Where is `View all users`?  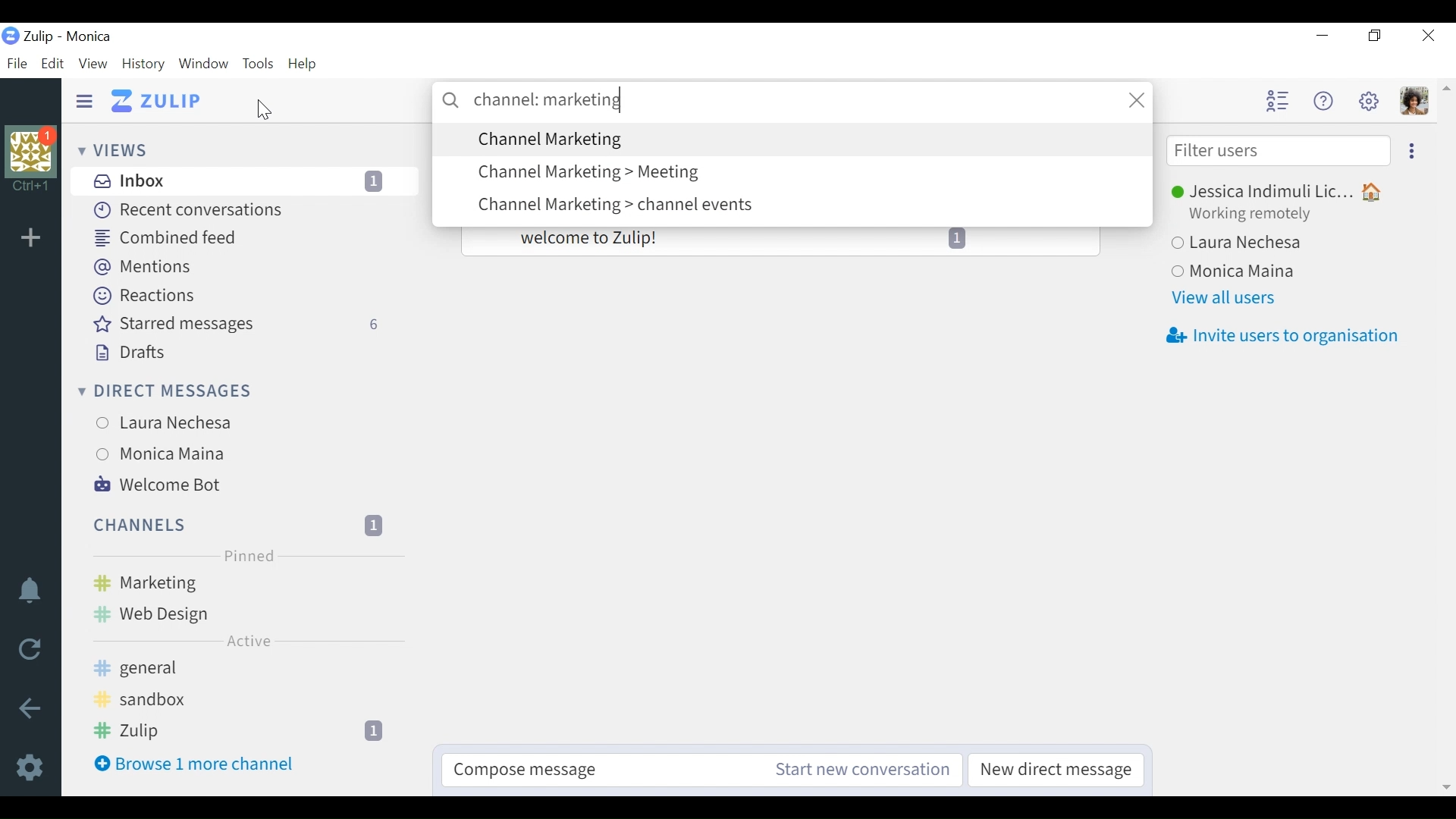 View all users is located at coordinates (1222, 300).